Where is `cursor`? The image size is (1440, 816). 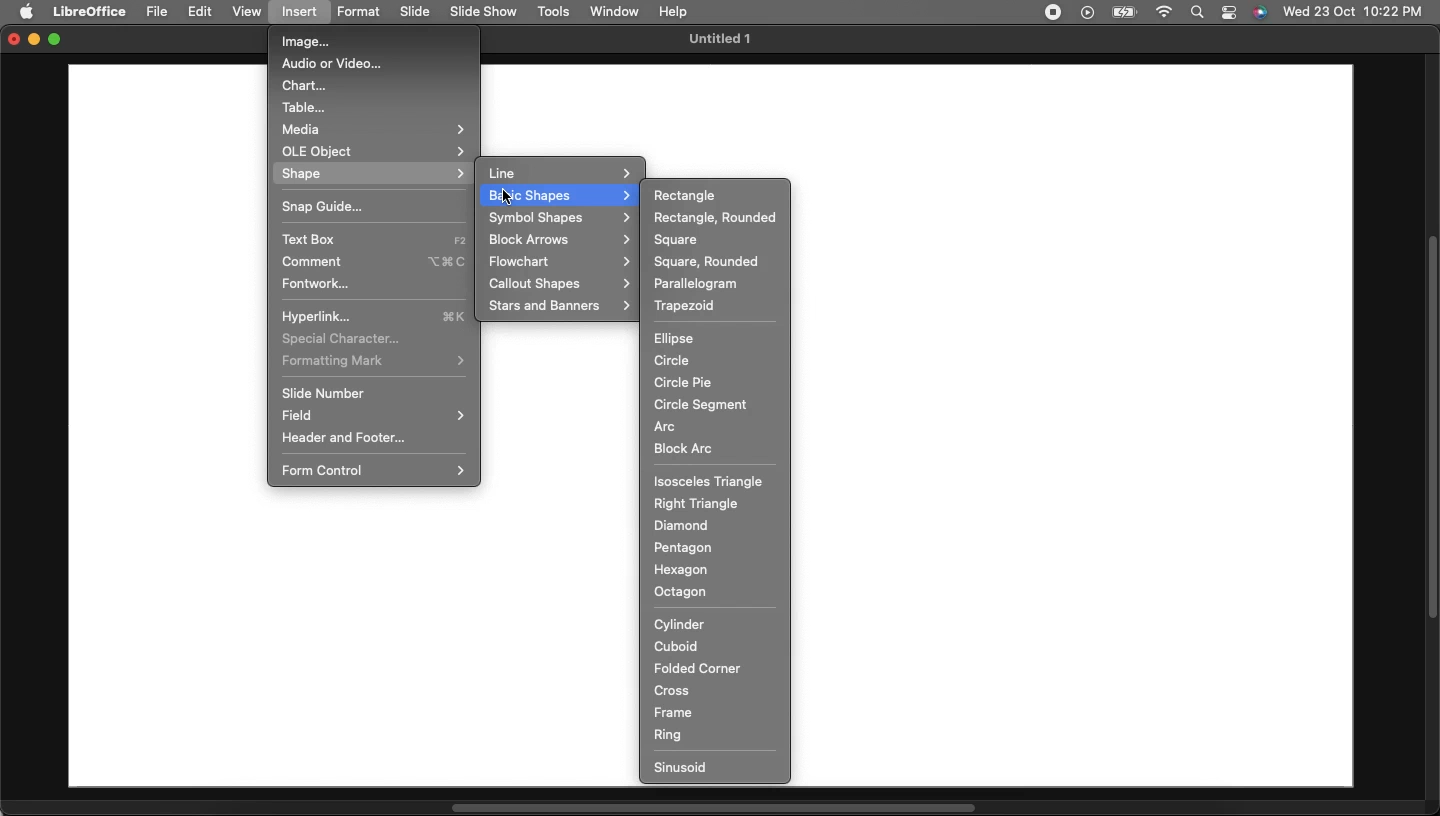
cursor is located at coordinates (511, 195).